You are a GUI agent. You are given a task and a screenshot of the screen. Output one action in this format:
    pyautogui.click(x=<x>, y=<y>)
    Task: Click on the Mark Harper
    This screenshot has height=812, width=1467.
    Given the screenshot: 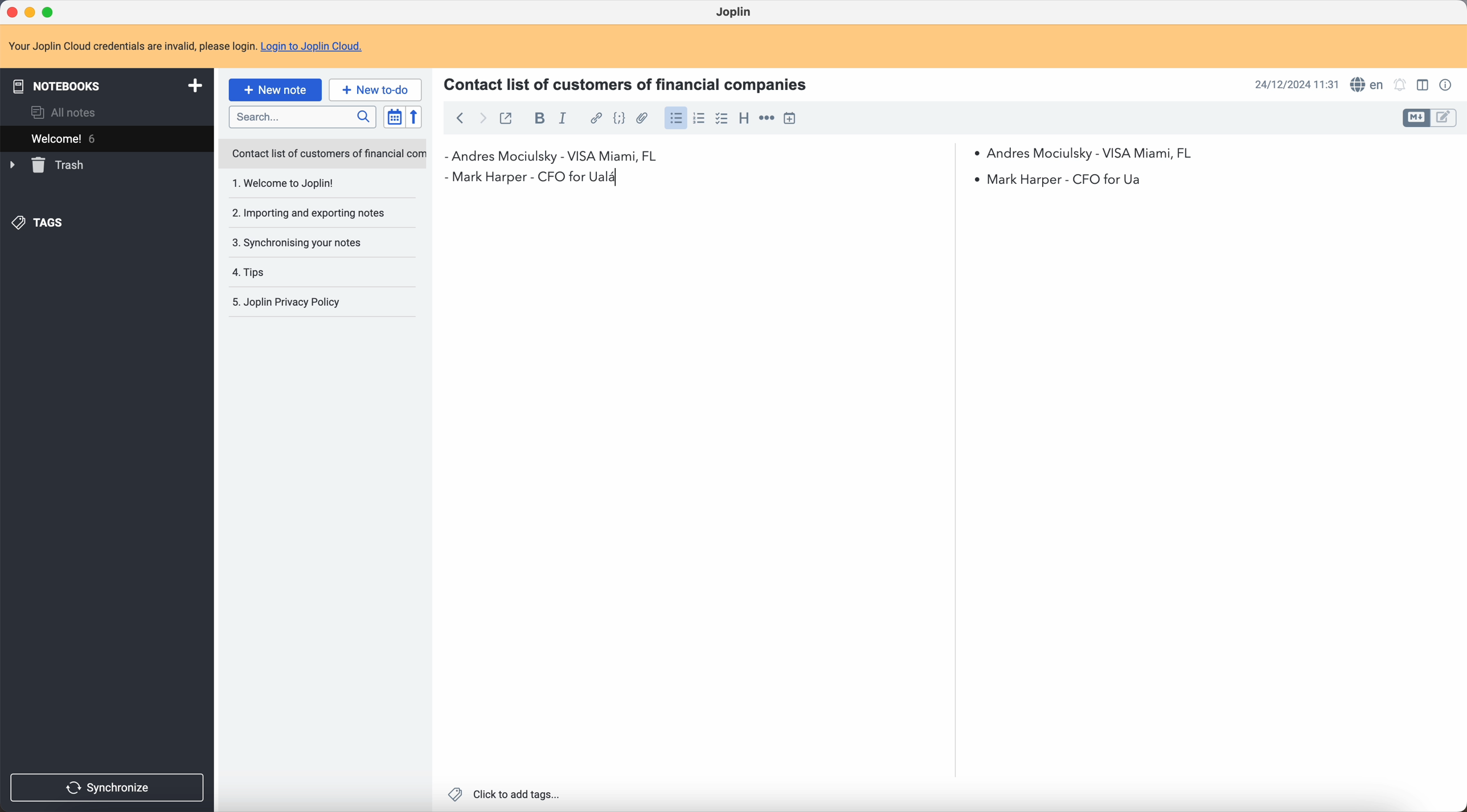 What is the action you would take?
    pyautogui.click(x=800, y=178)
    